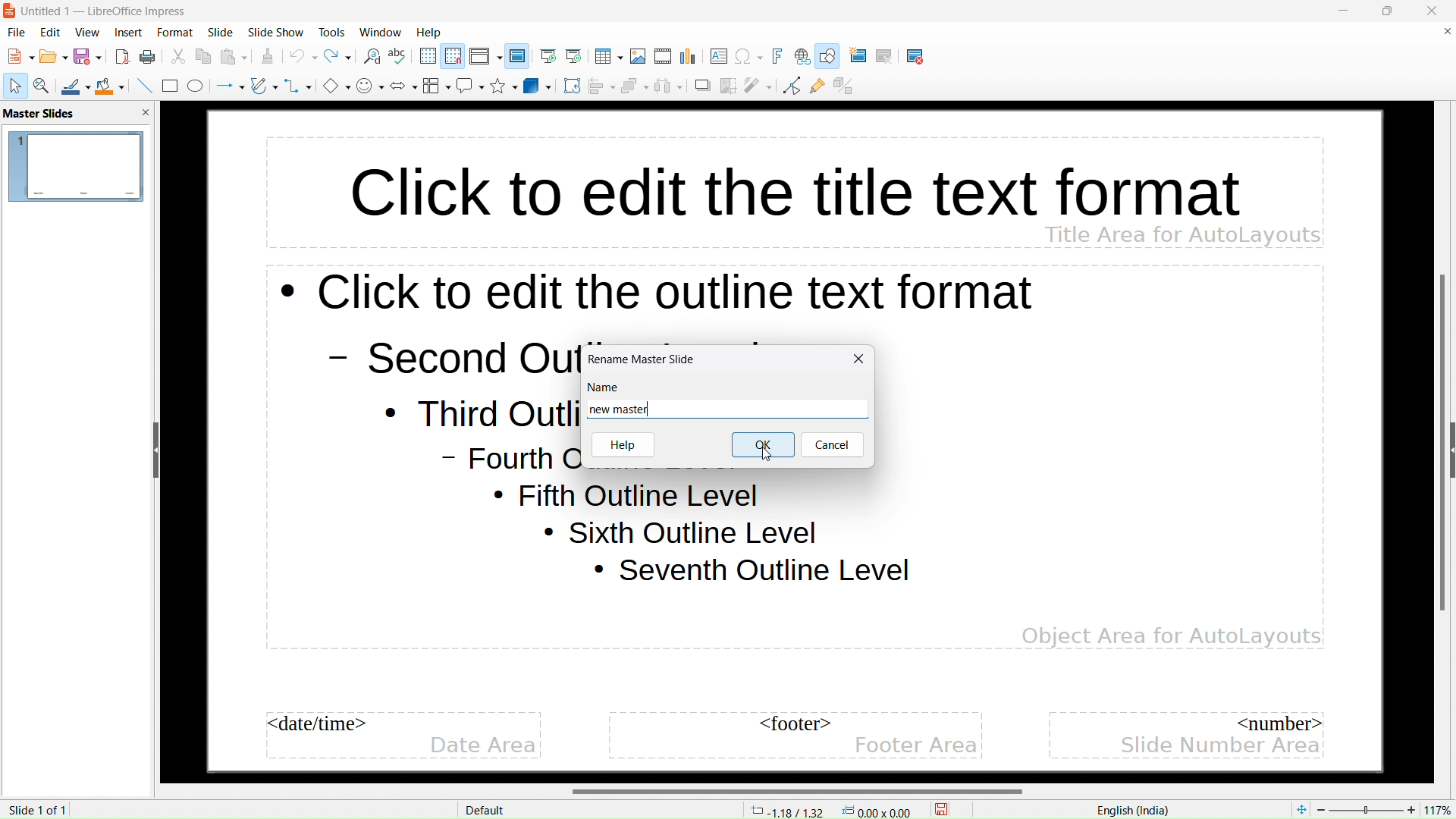 This screenshot has width=1456, height=819. Describe the element at coordinates (1431, 11) in the screenshot. I see `close` at that location.